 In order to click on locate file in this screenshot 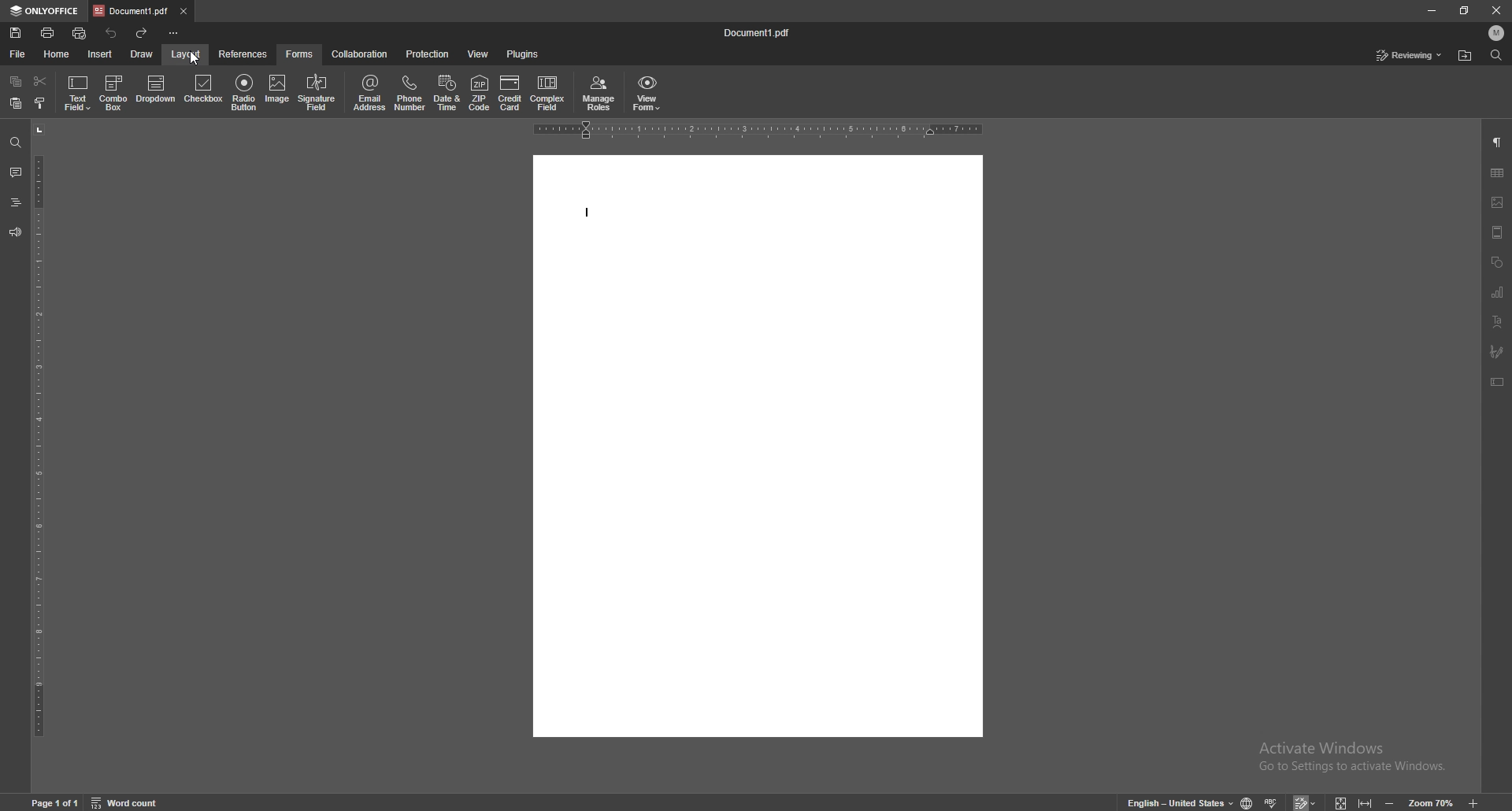, I will do `click(1466, 56)`.